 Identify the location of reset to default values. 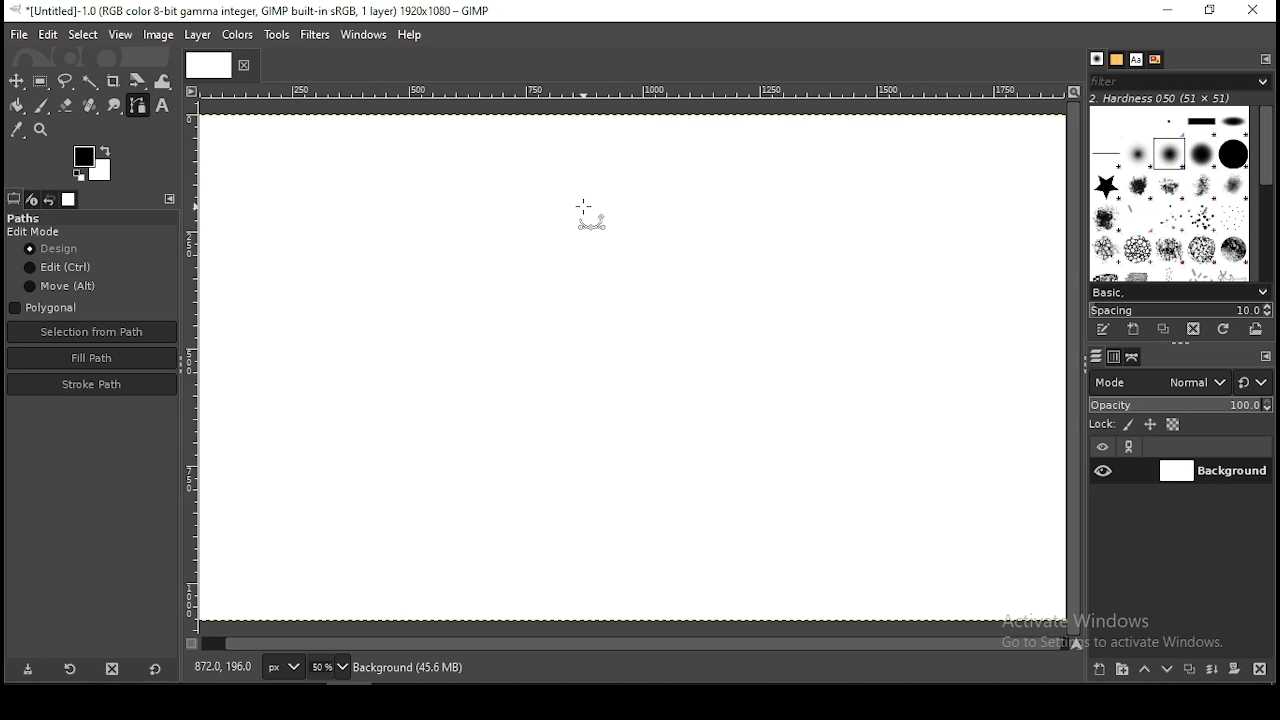
(156, 674).